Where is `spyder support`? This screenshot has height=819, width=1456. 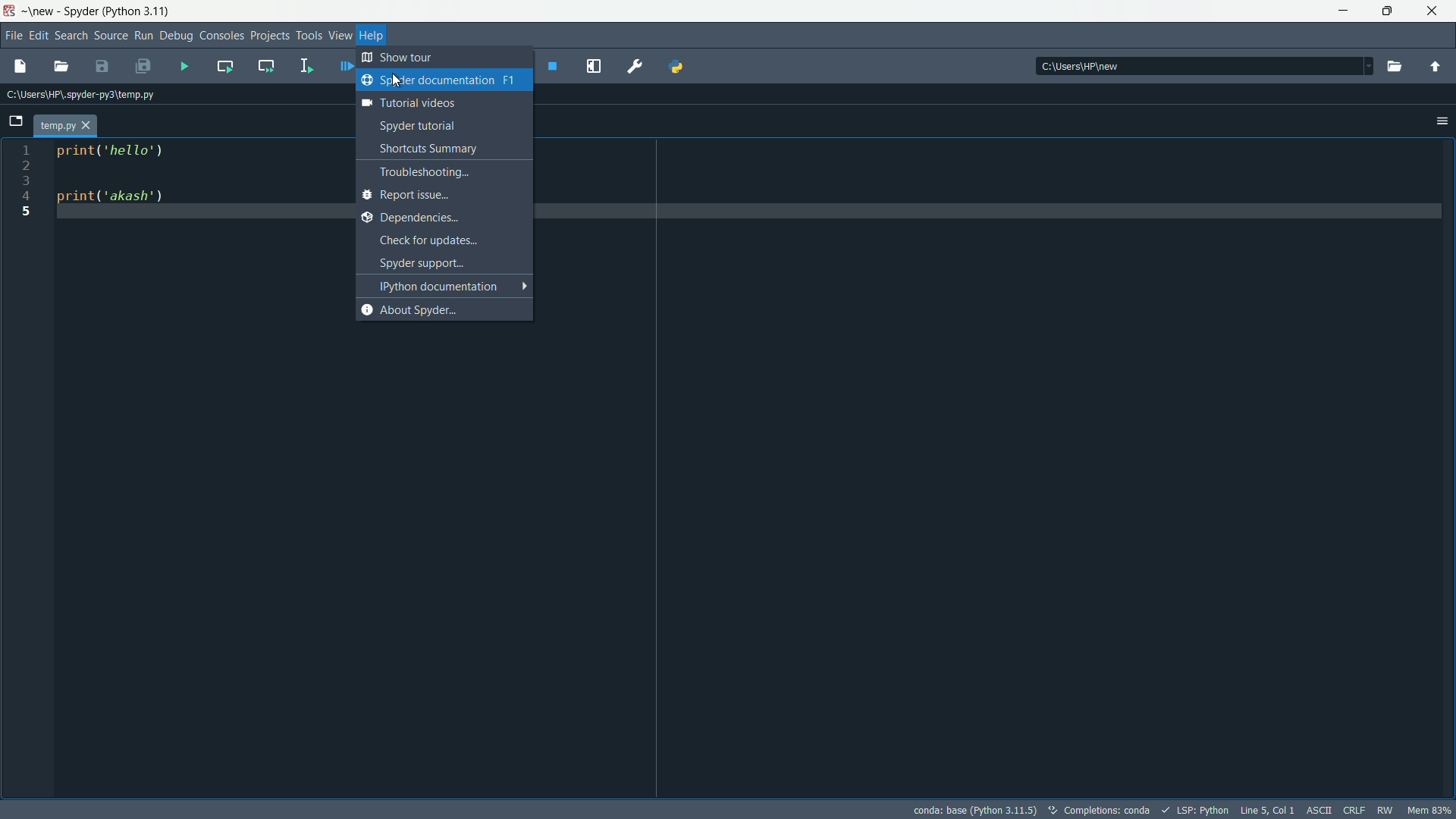
spyder support is located at coordinates (448, 262).